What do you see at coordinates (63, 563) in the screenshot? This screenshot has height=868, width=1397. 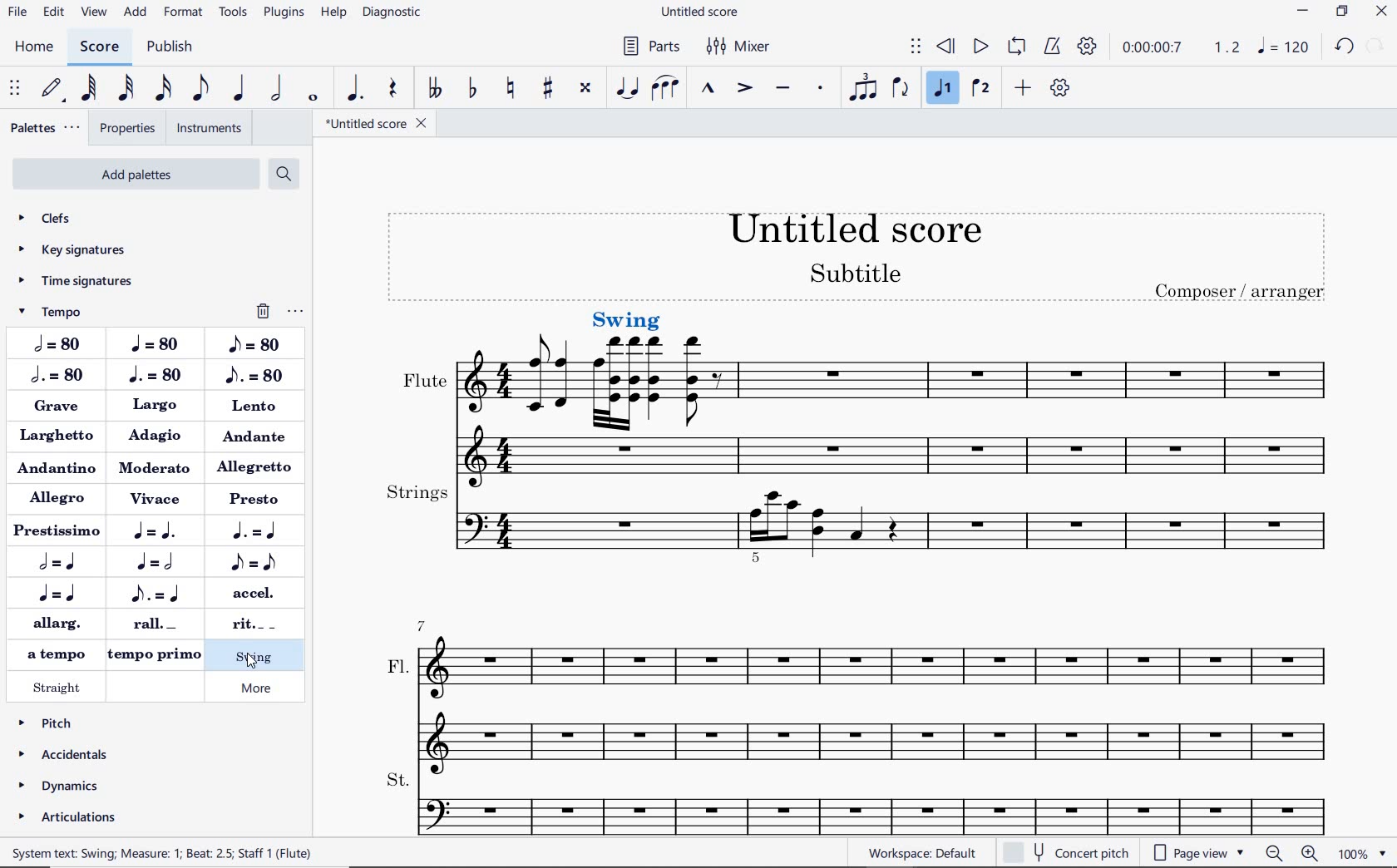 I see `METRIC MODULATION: HALF NOTE` at bounding box center [63, 563].